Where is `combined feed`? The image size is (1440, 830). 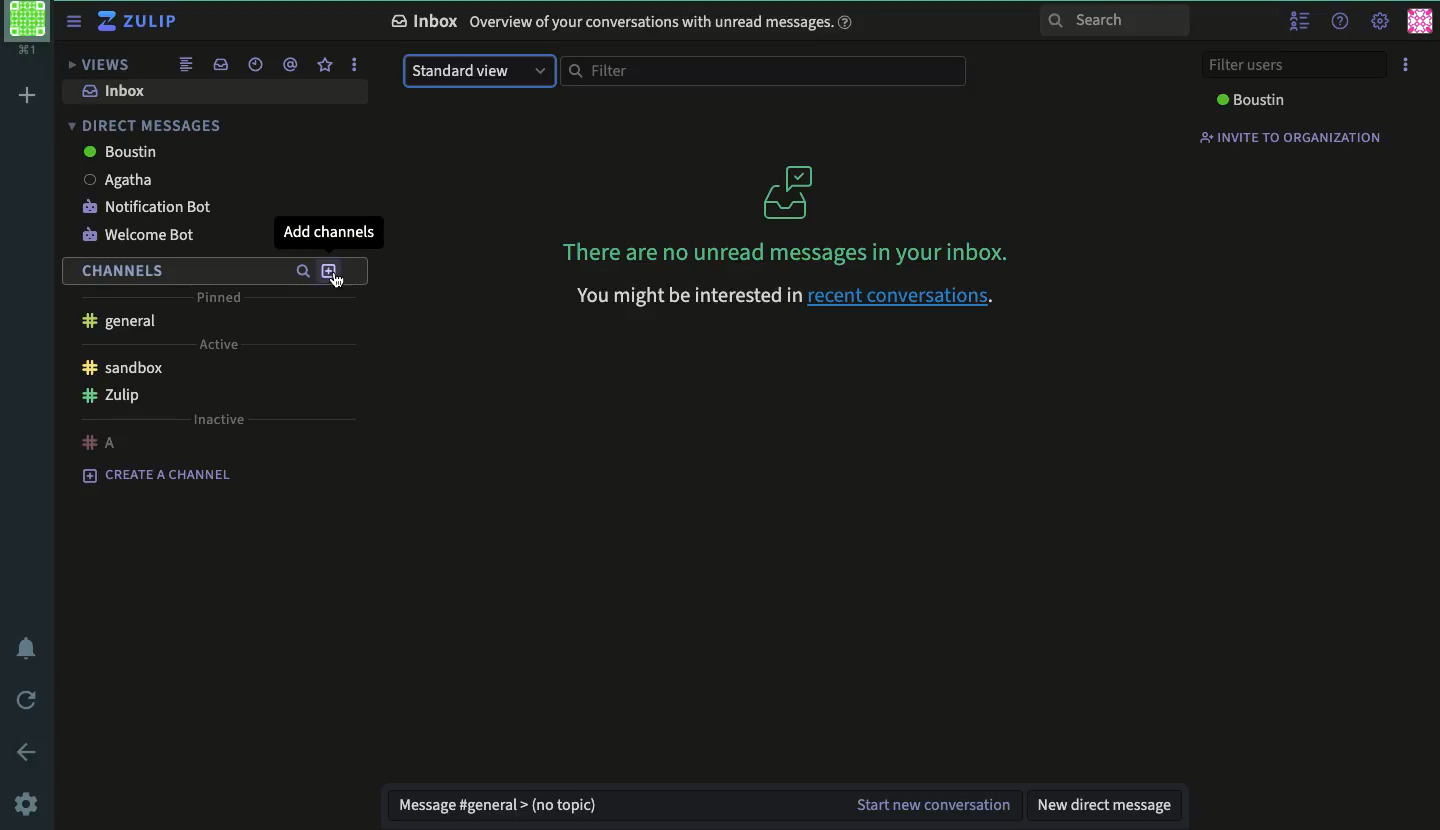 combined feed is located at coordinates (184, 65).